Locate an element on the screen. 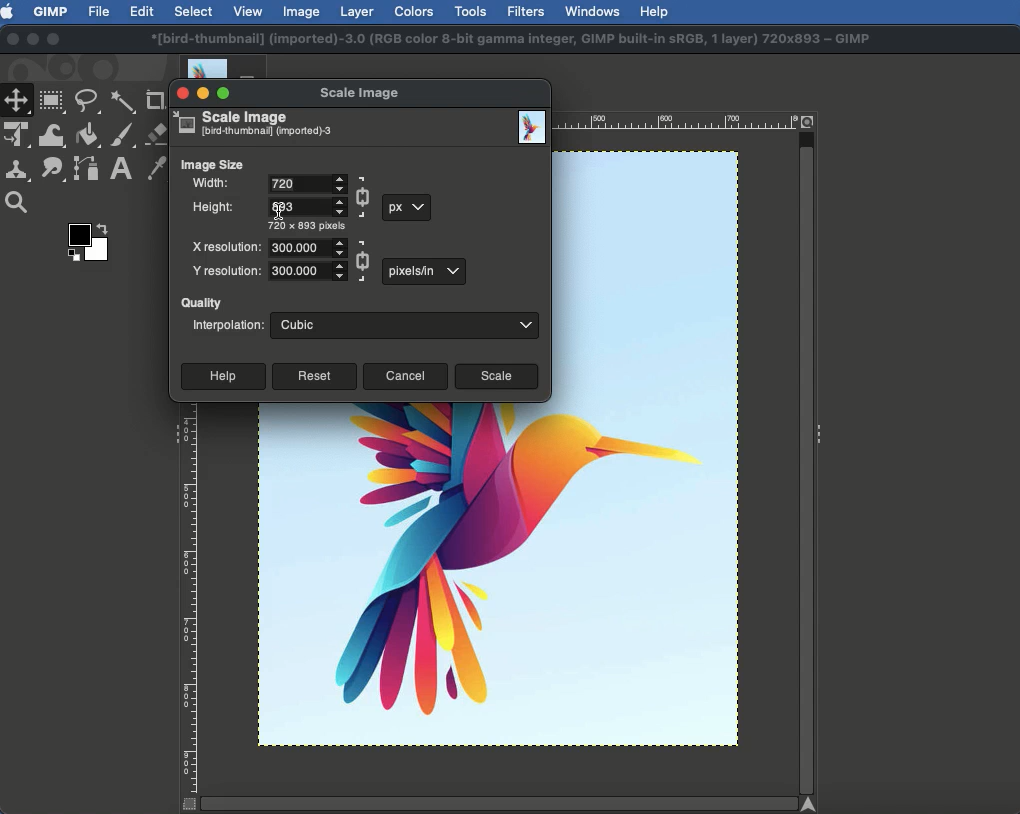  cursor is located at coordinates (279, 216).